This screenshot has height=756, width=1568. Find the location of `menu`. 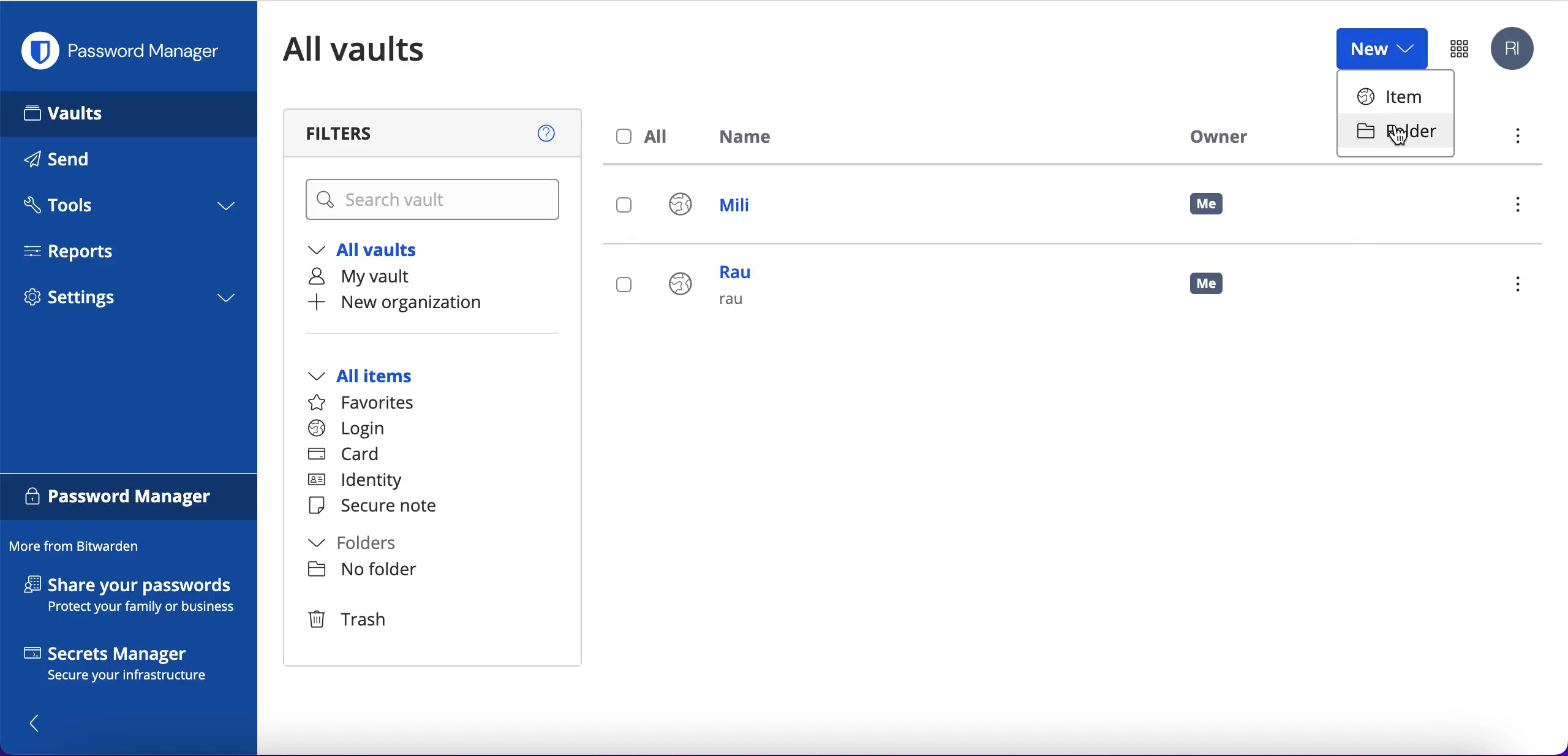

menu is located at coordinates (1516, 139).